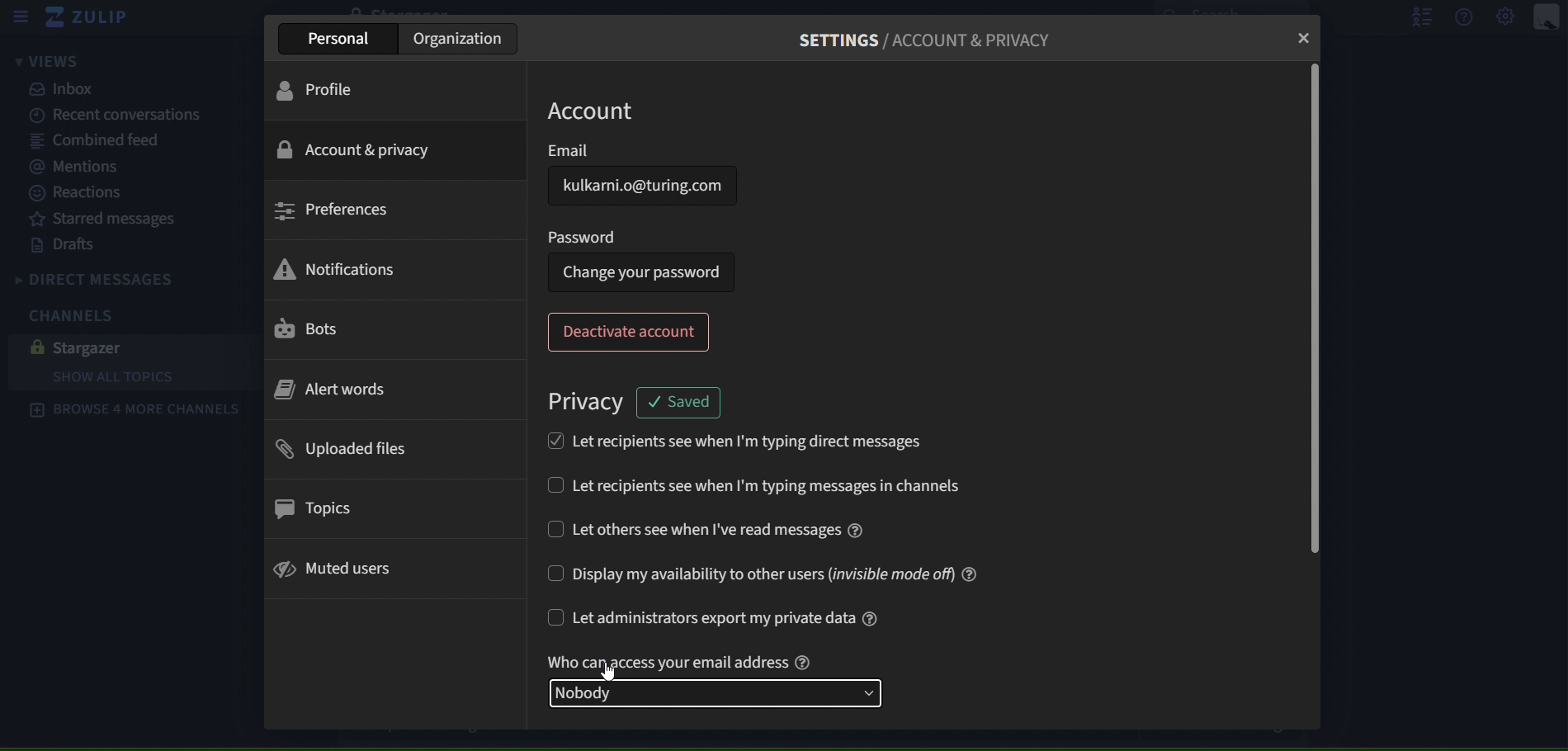  I want to click on let recipients see when Im typing direct messages, so click(734, 439).